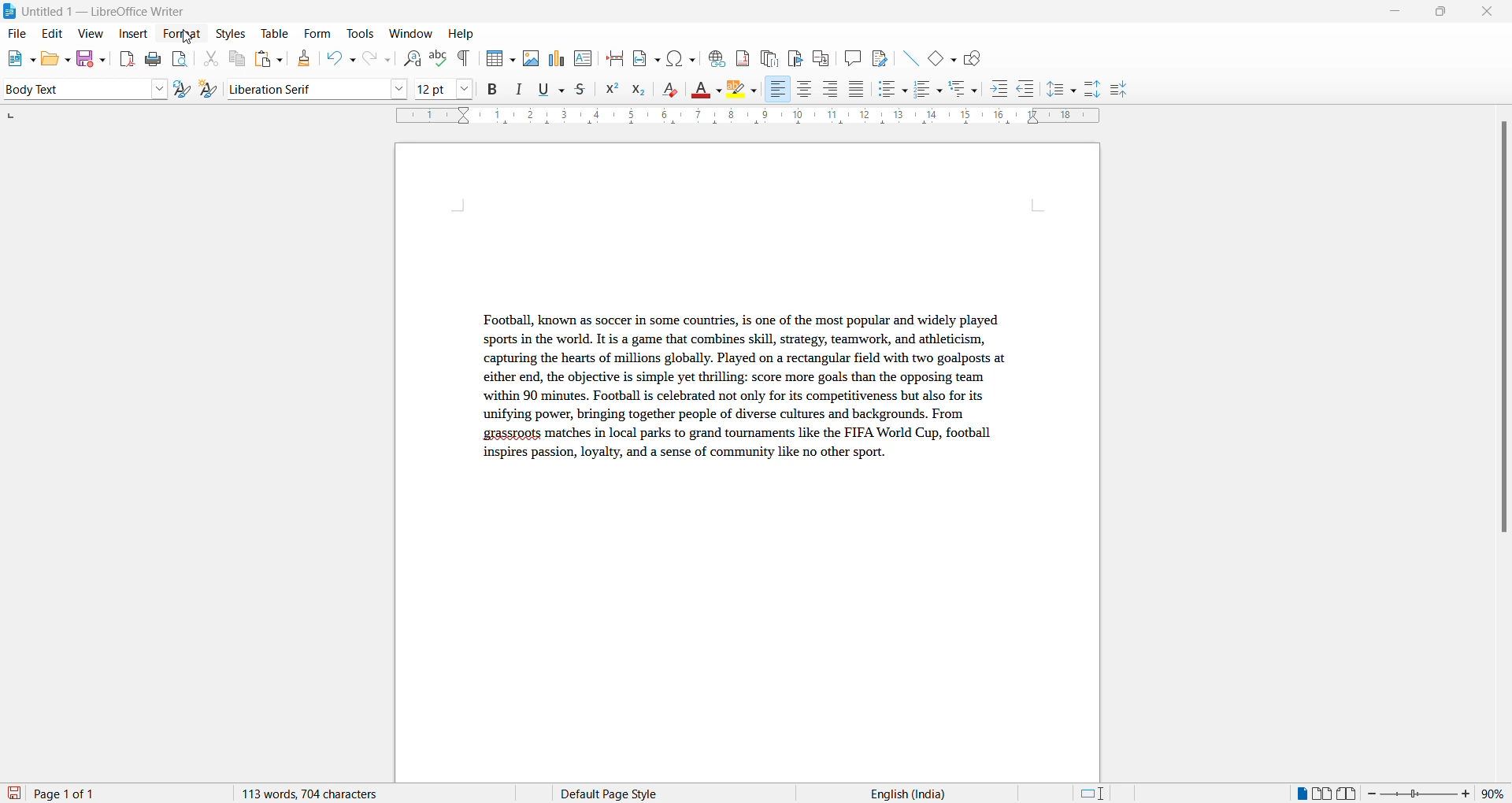 The height and width of the screenshot is (803, 1512). What do you see at coordinates (1117, 91) in the screenshot?
I see `decrease paragraph spacing` at bounding box center [1117, 91].